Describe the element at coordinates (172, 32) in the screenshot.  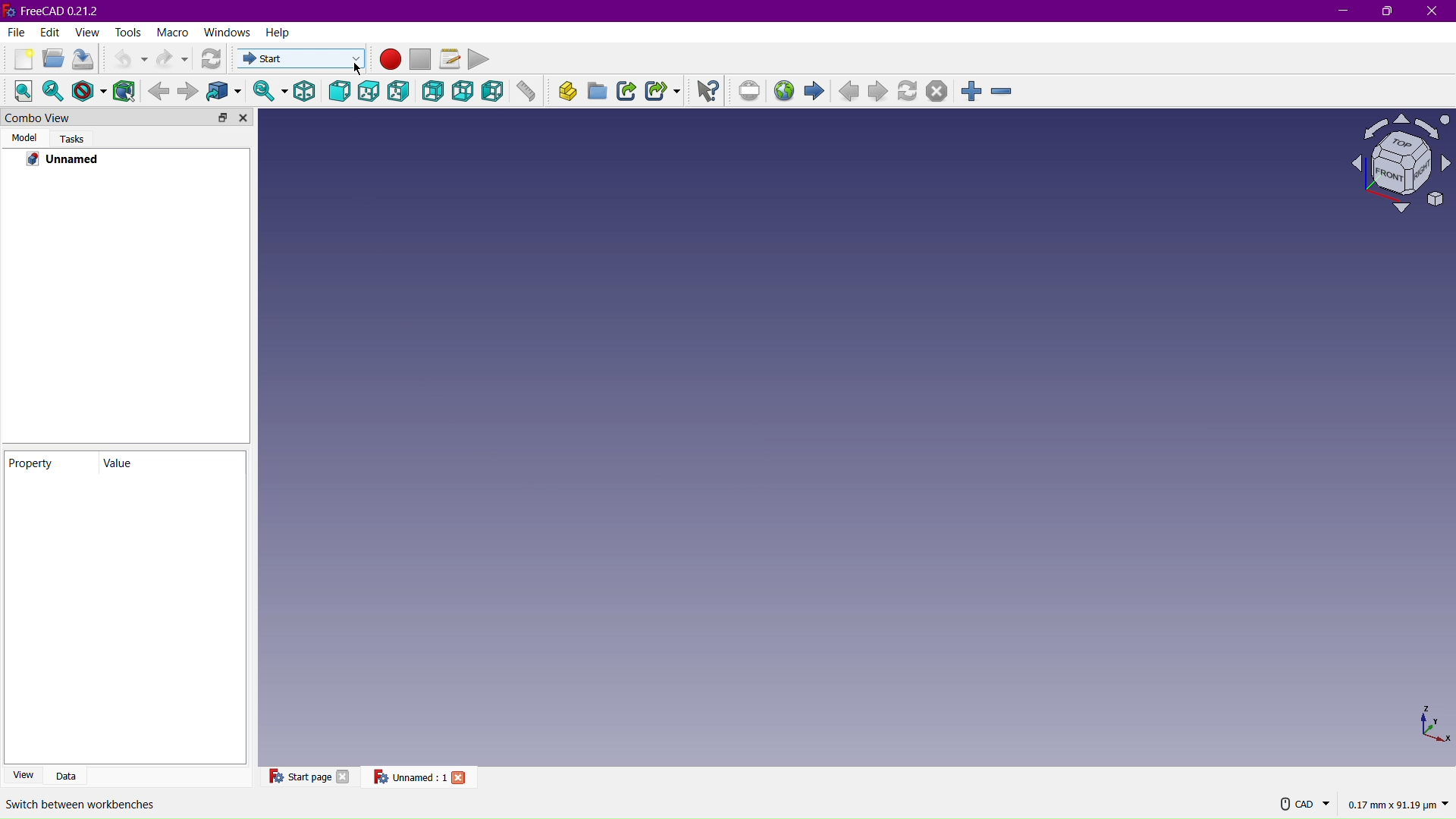
I see `Macro` at that location.